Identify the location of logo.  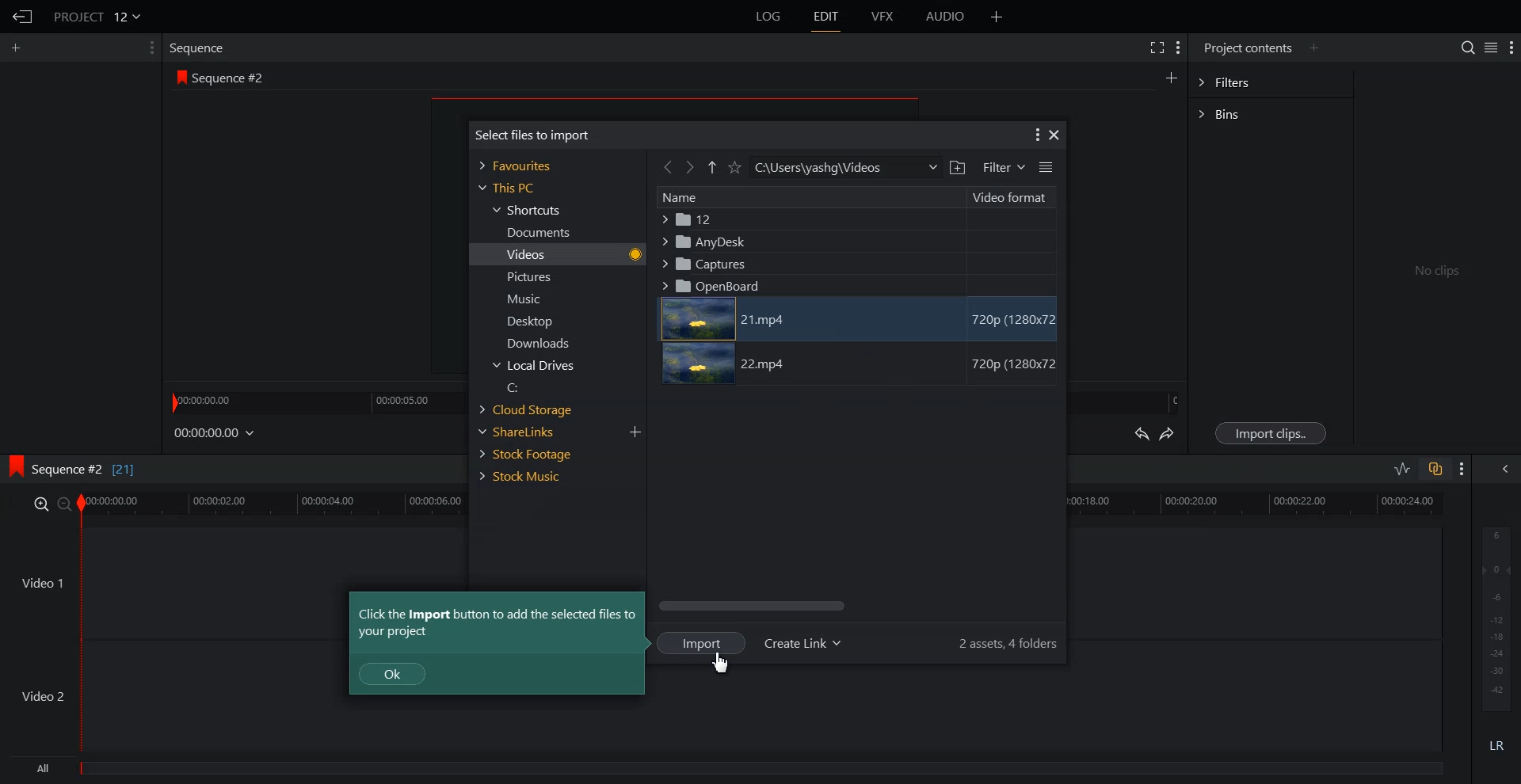
(180, 77).